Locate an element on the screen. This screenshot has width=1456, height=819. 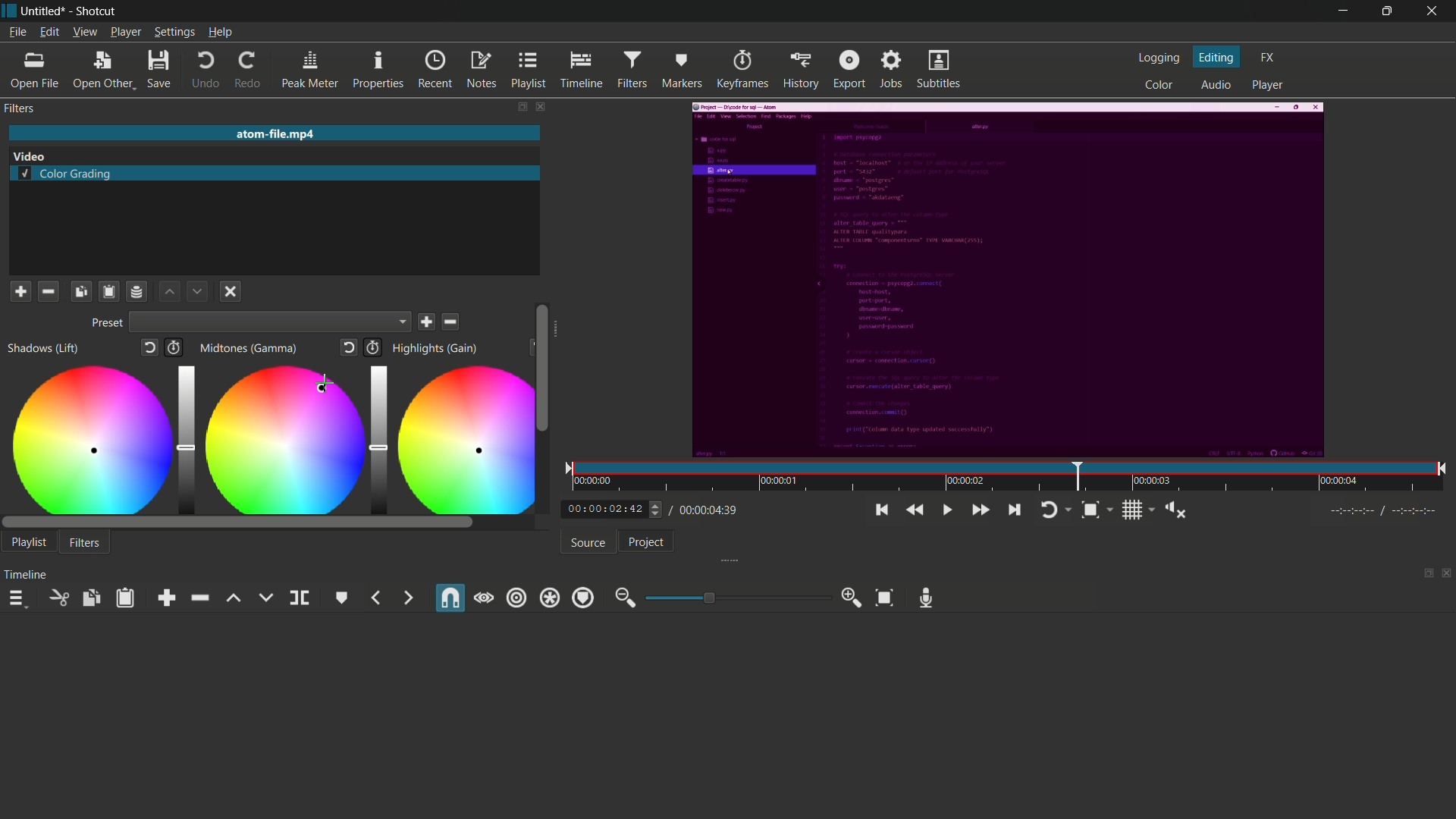
delete is located at coordinates (452, 322).